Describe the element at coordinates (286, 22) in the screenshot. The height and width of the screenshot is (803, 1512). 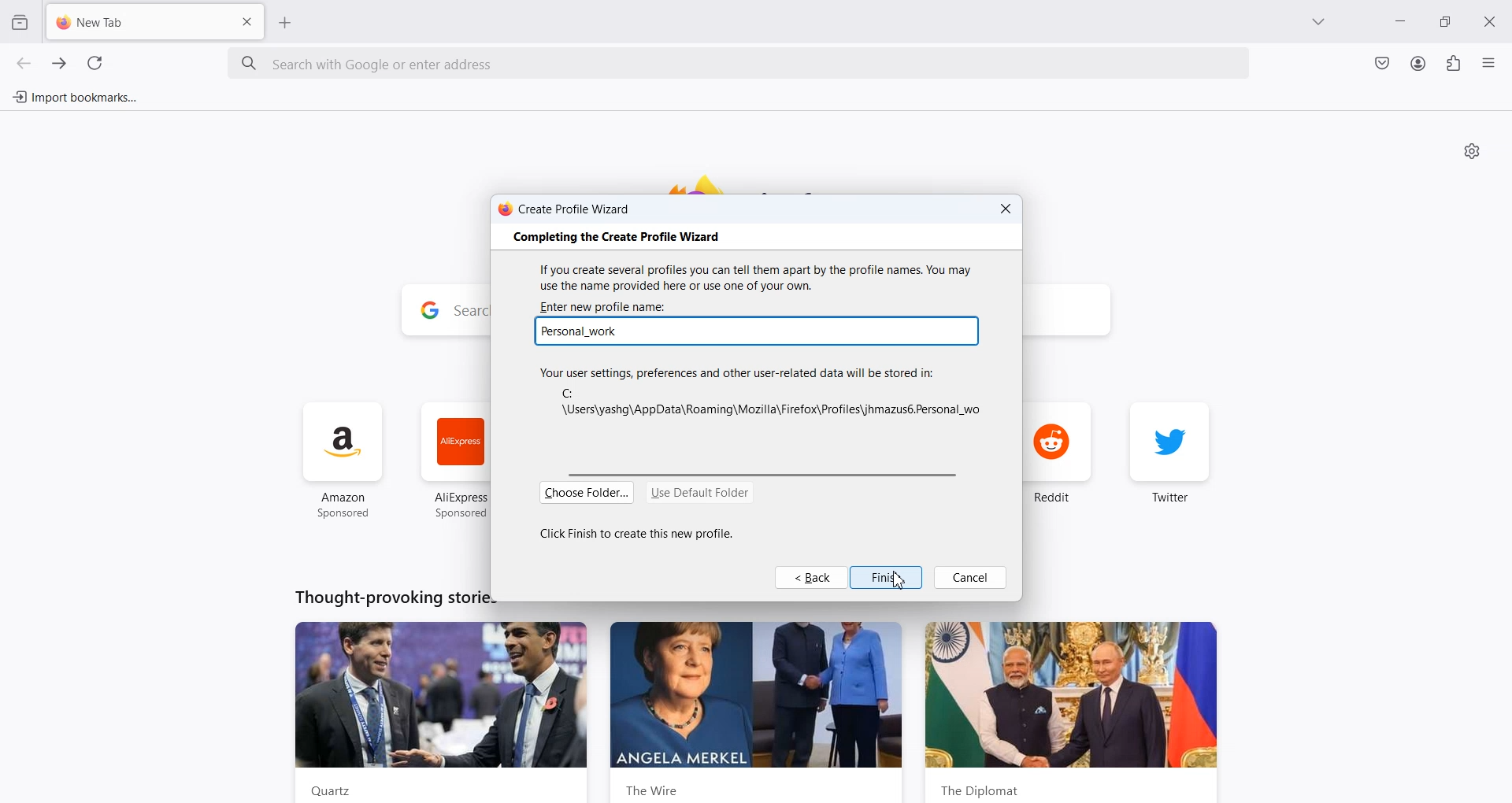
I see `Add New Tab` at that location.